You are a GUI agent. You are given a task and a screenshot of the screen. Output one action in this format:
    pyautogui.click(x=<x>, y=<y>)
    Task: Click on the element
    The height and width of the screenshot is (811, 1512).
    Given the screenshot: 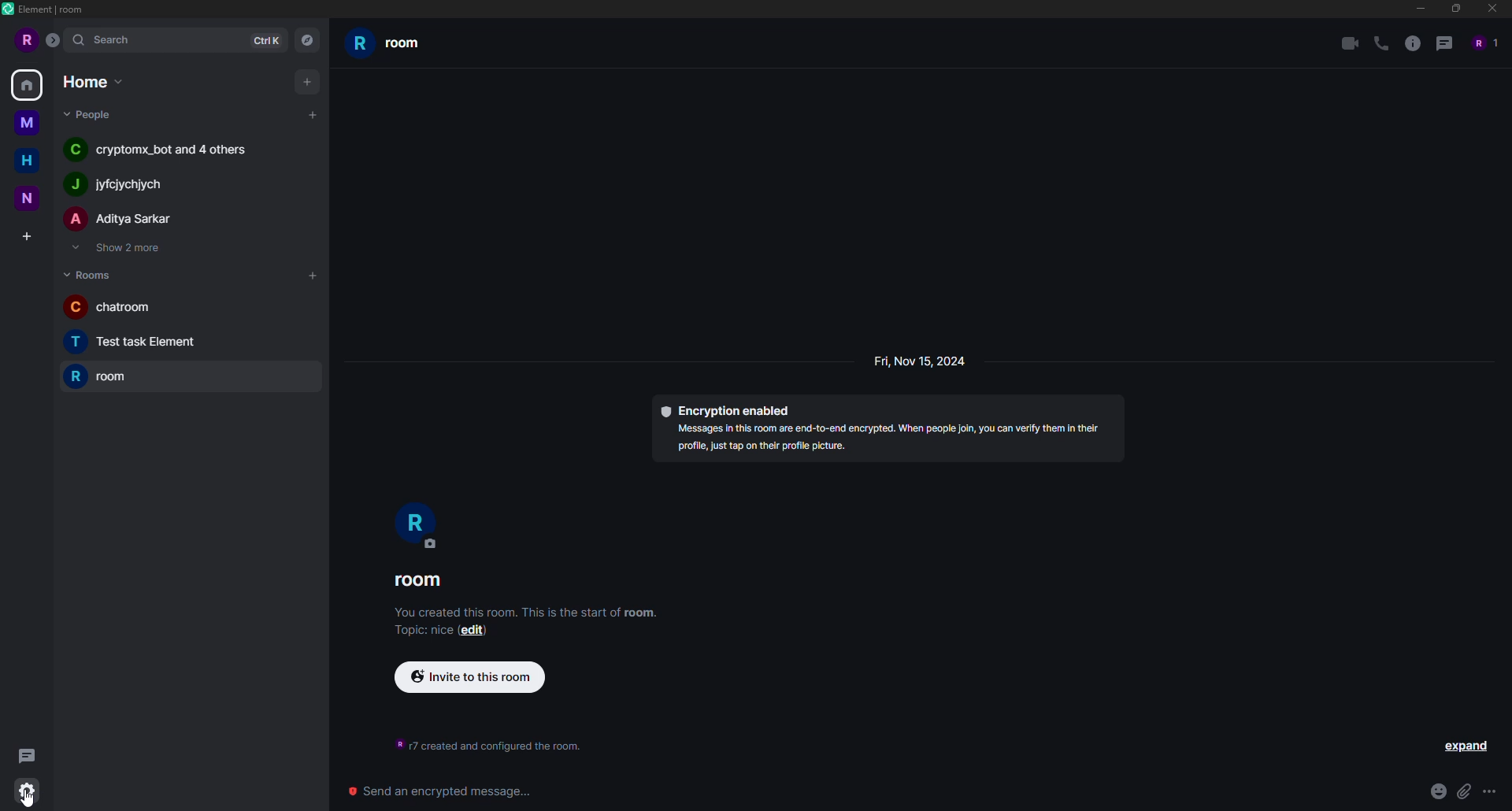 What is the action you would take?
    pyautogui.click(x=45, y=11)
    